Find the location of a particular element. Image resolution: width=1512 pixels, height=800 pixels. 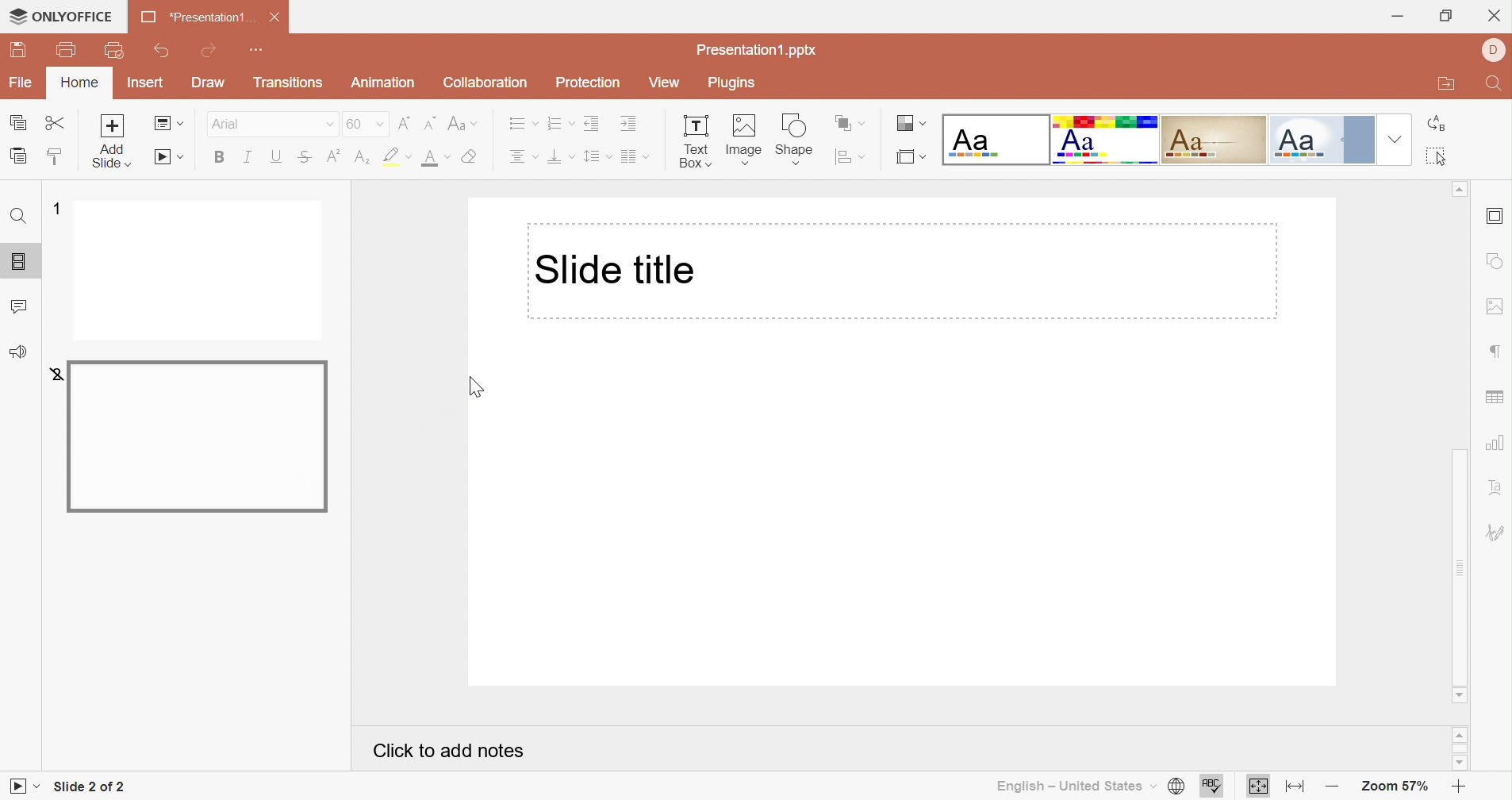

Slide title is located at coordinates (616, 268).